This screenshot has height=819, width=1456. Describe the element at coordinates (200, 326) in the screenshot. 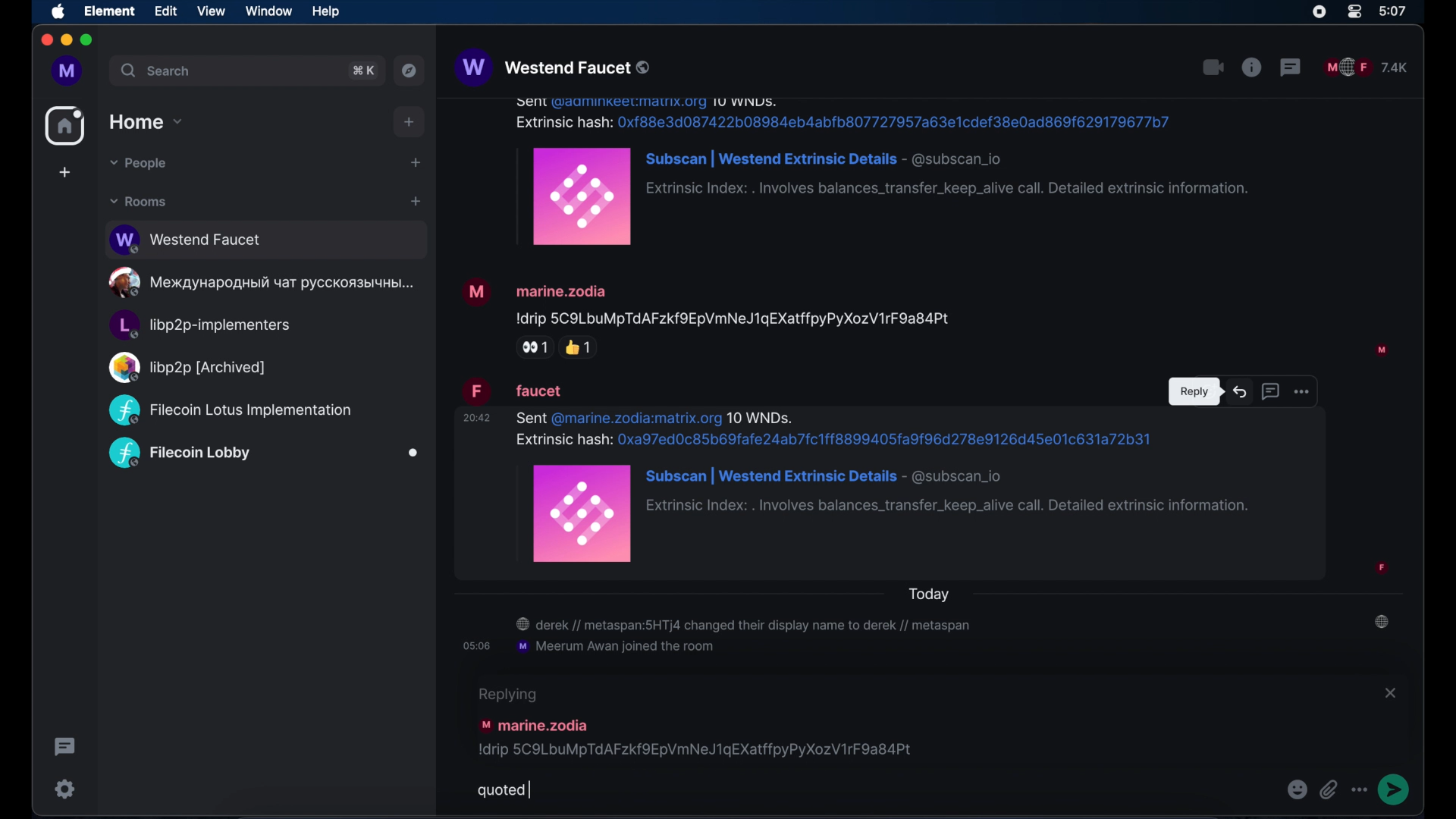

I see `public room` at that location.